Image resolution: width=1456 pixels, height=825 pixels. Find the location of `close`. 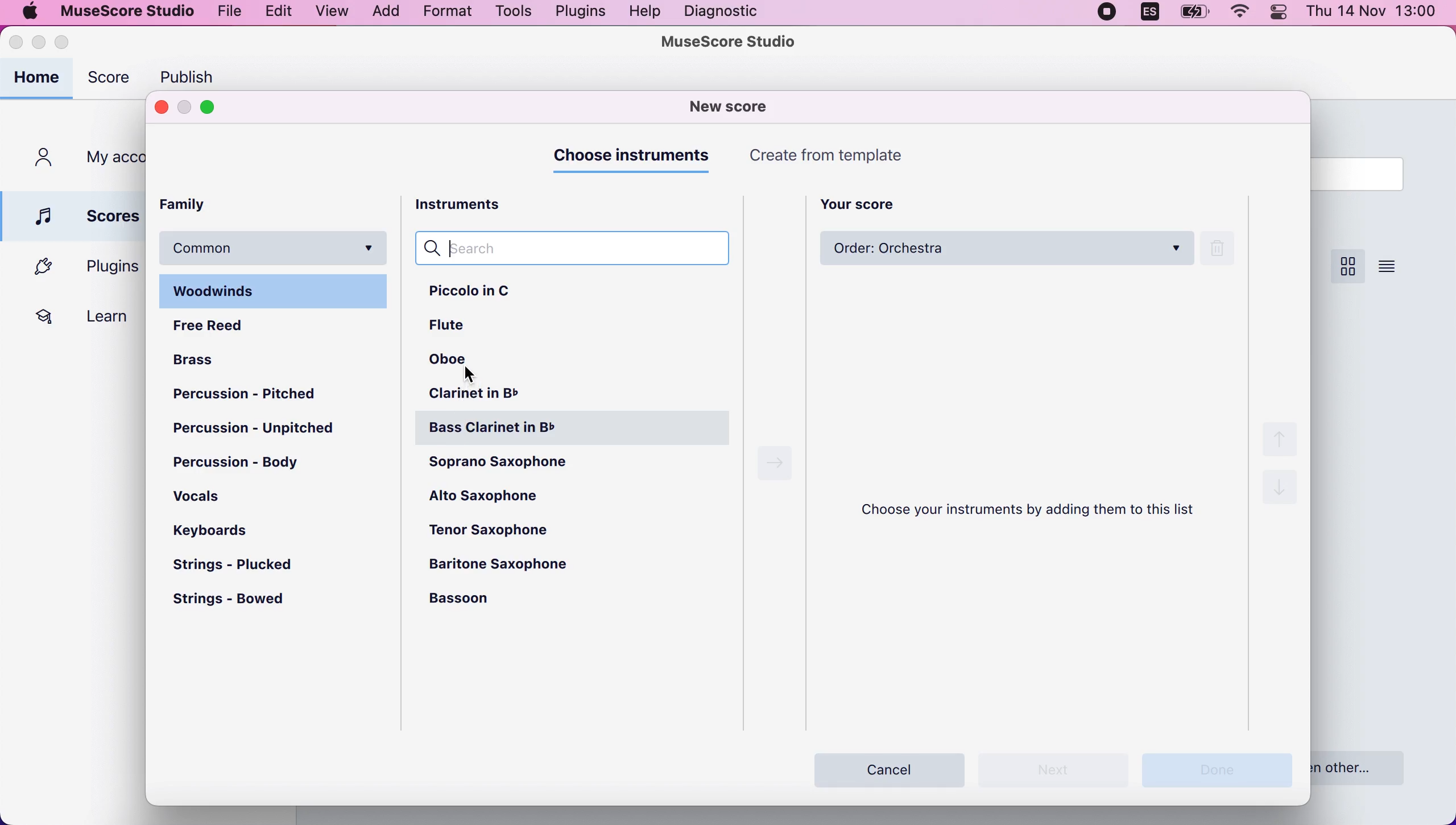

close is located at coordinates (161, 108).